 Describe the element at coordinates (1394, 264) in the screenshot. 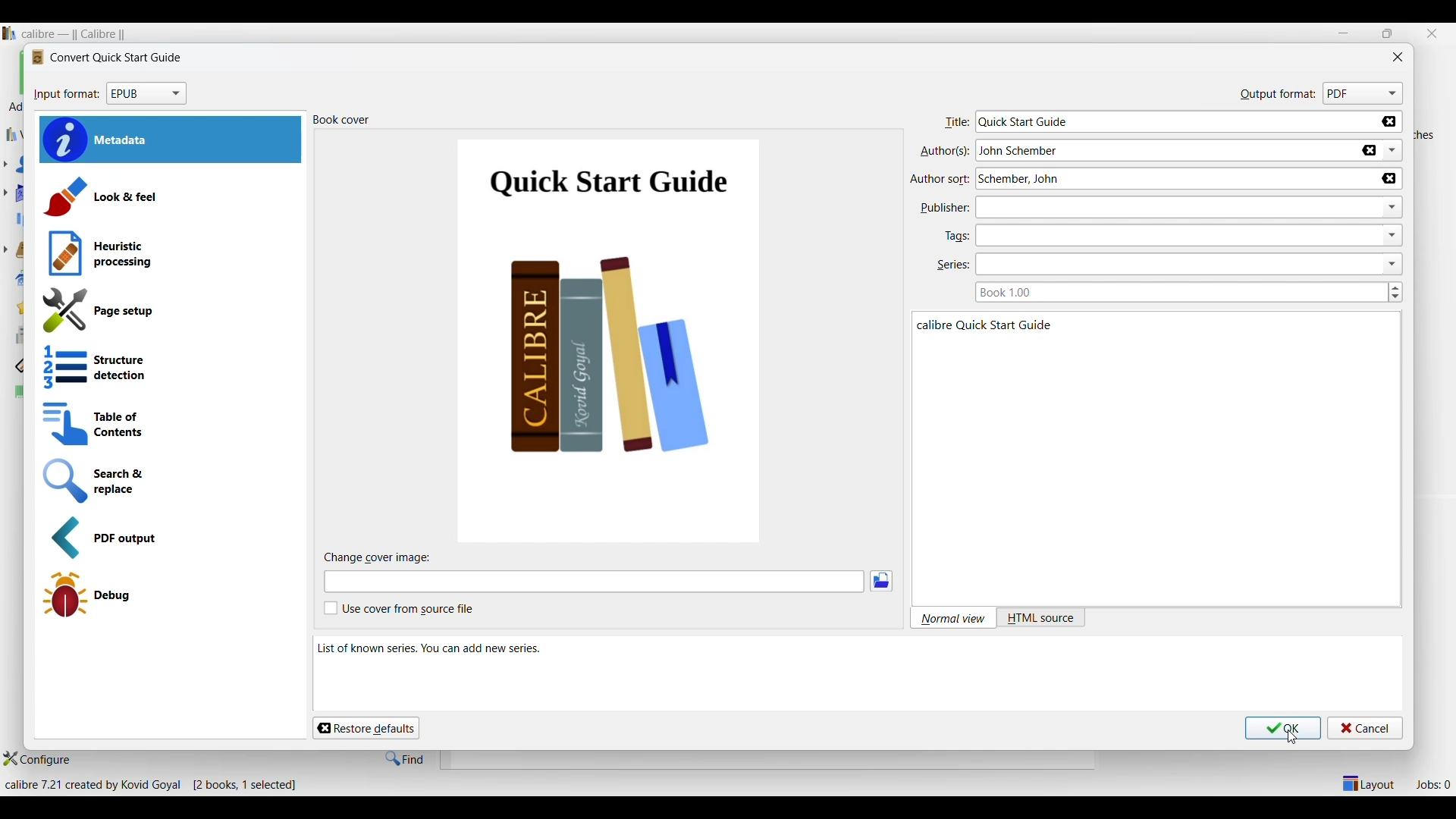

I see `dropdown` at that location.